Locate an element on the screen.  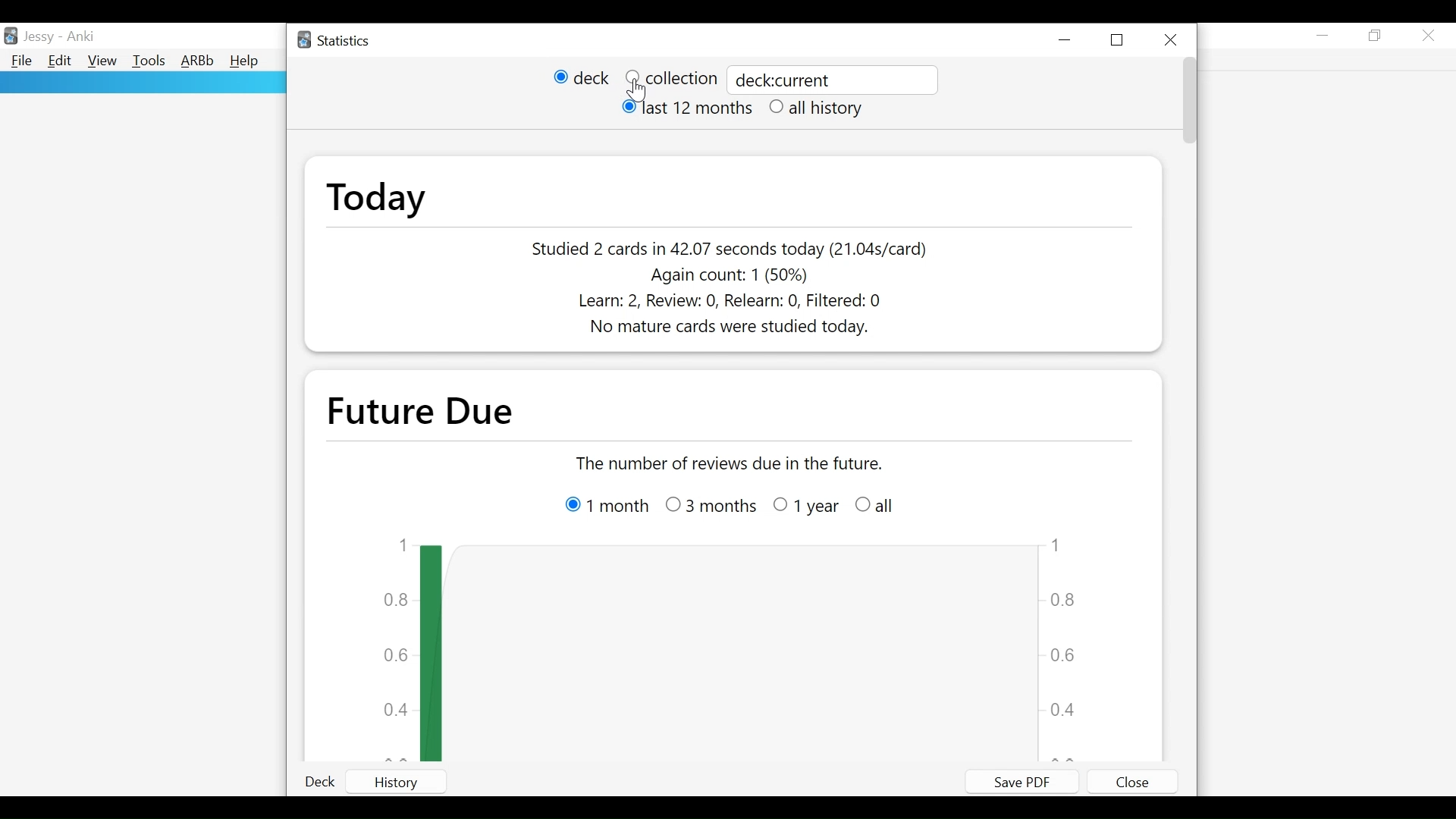
Today is located at coordinates (375, 199).